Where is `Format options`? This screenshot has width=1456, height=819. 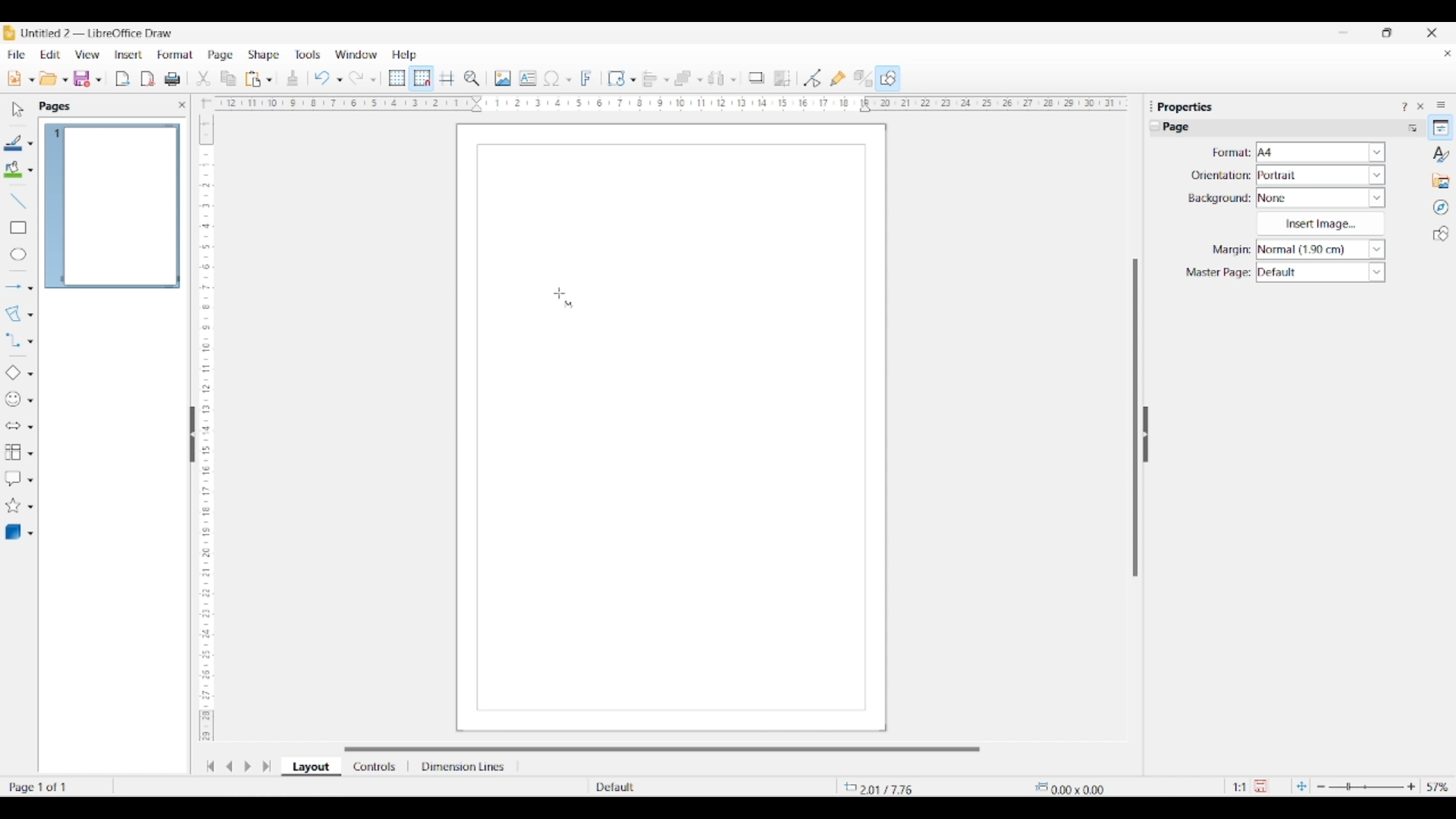 Format options is located at coordinates (1321, 152).